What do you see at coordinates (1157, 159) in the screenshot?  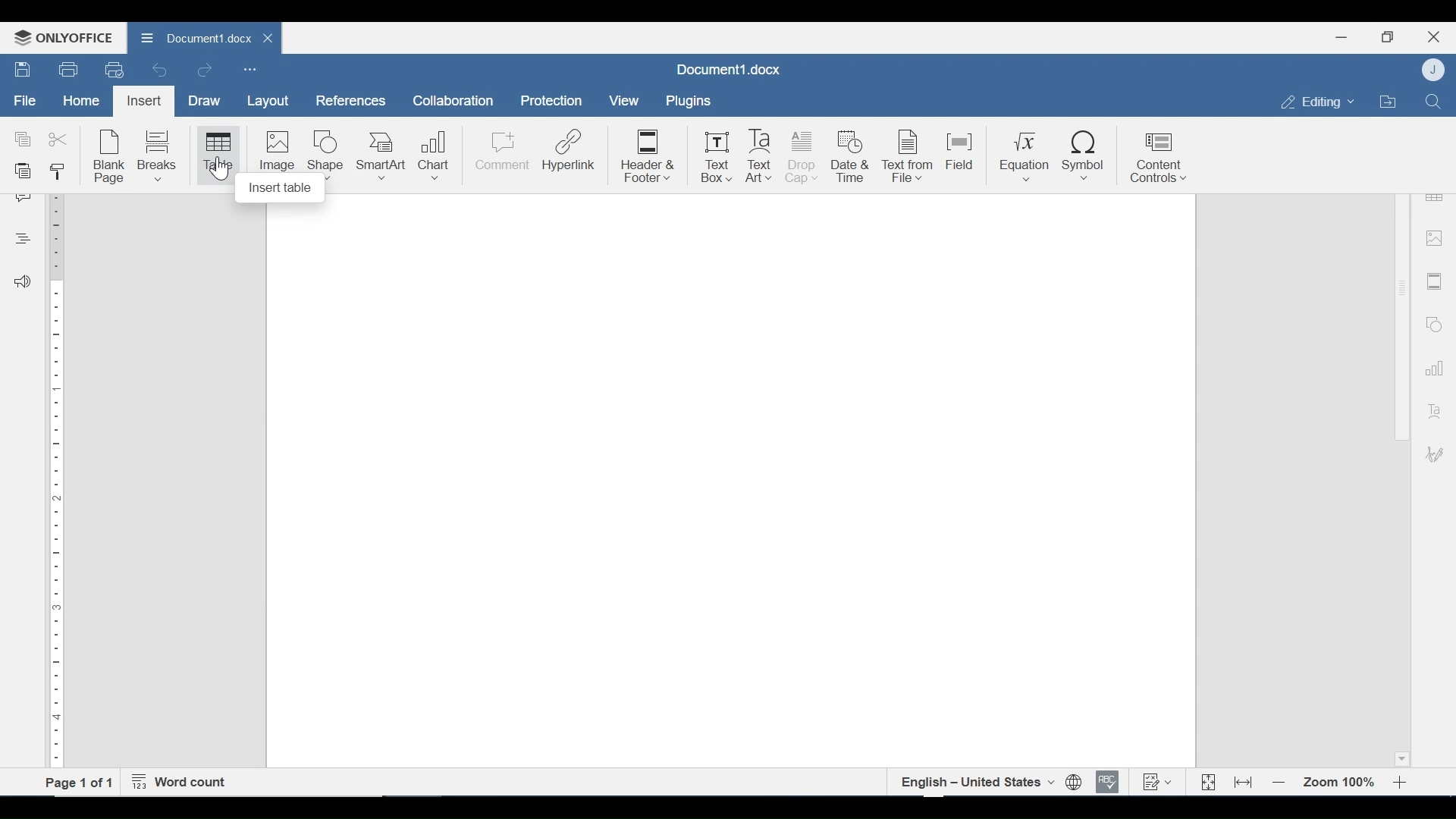 I see `Content Control` at bounding box center [1157, 159].